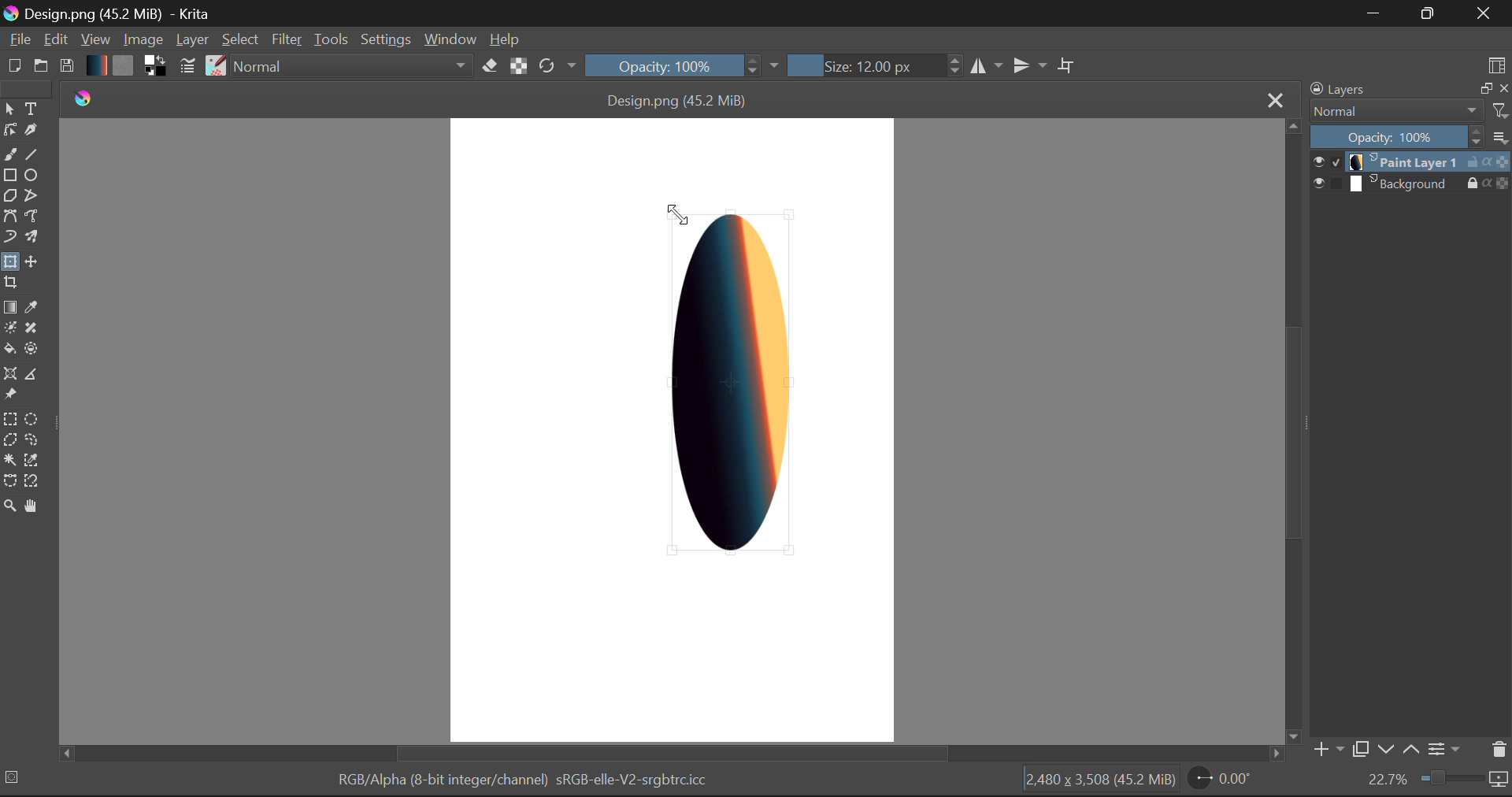  I want to click on Brush Presets, so click(214, 66).